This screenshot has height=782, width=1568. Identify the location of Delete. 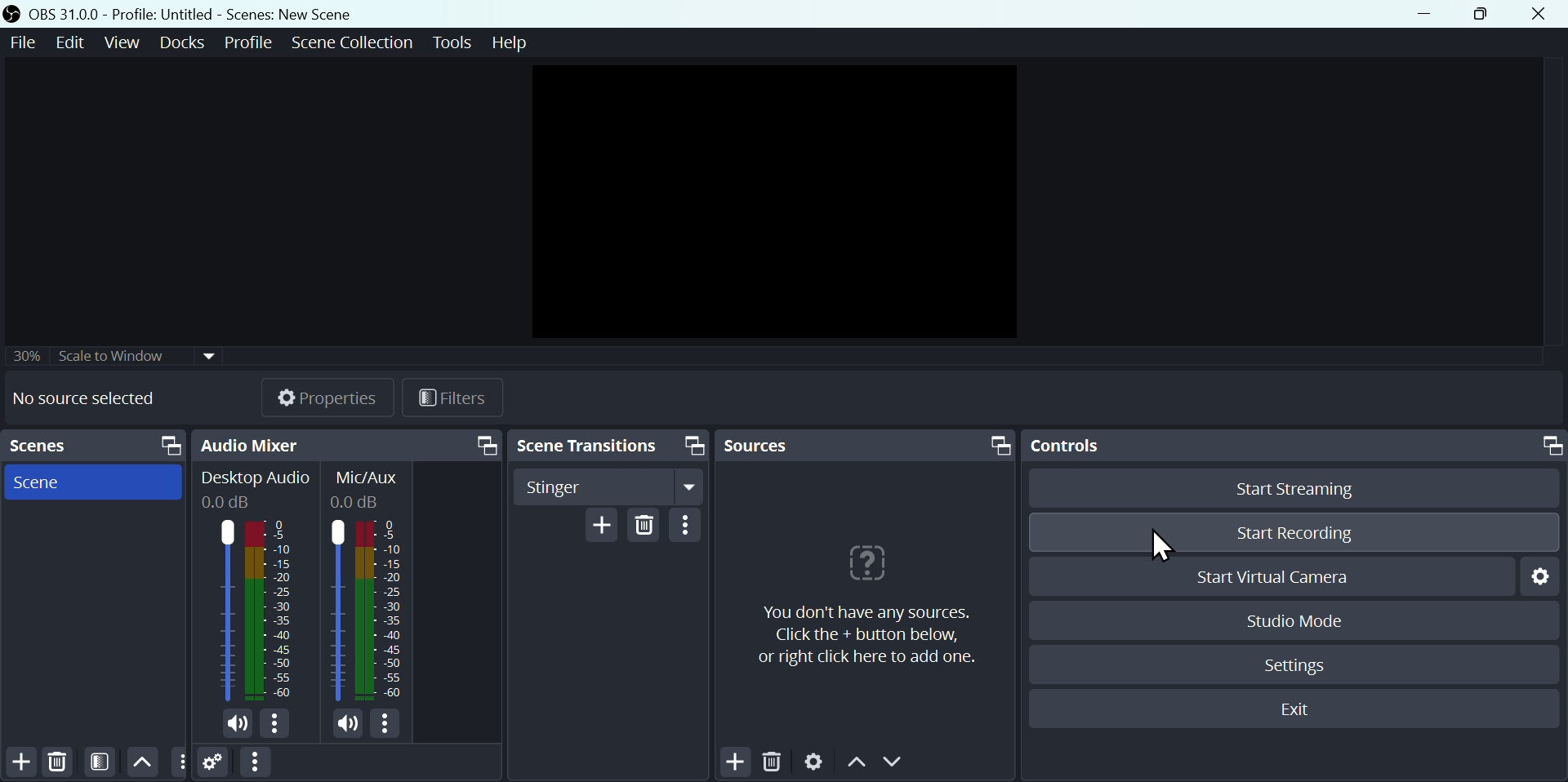
(61, 761).